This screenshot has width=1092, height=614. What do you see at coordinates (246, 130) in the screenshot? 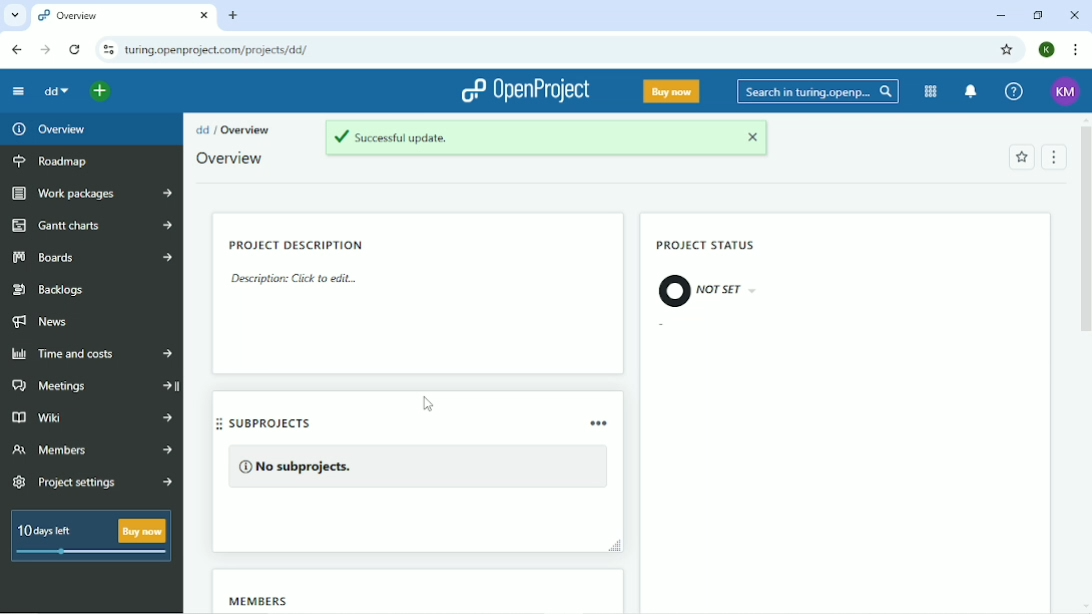
I see `Overview` at bounding box center [246, 130].